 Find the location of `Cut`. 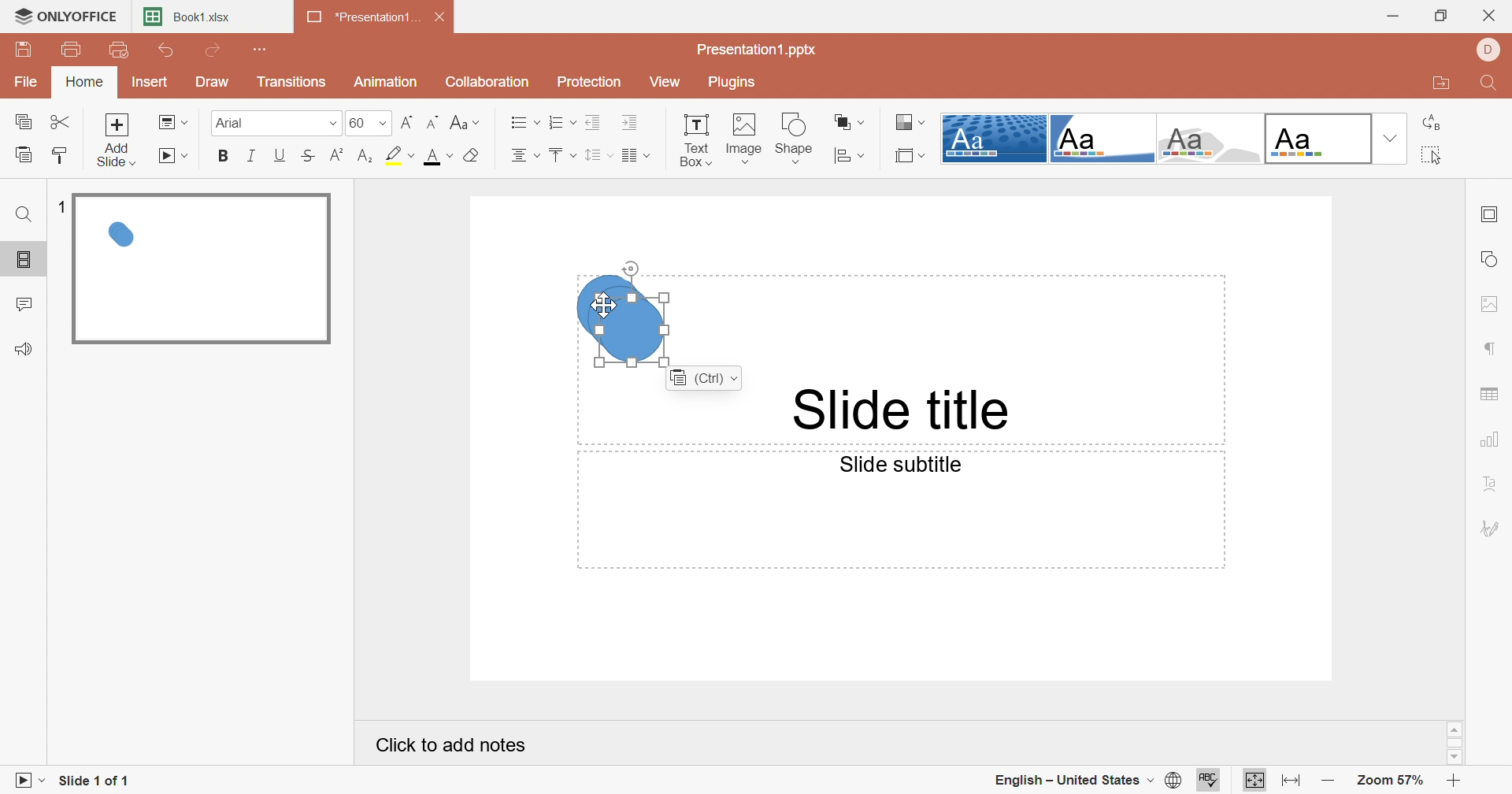

Cut is located at coordinates (61, 121).